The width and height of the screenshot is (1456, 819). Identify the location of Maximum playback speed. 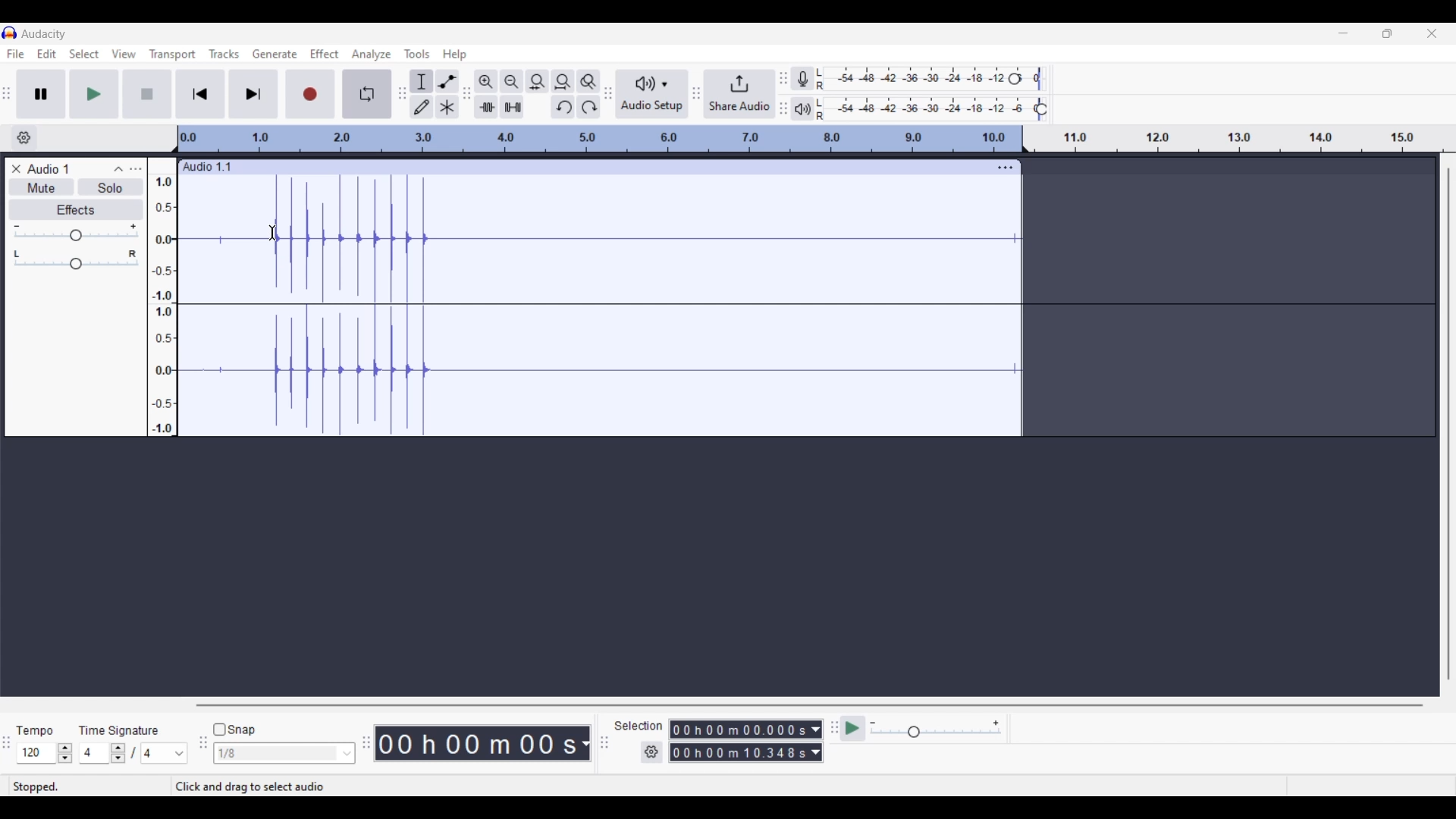
(996, 723).